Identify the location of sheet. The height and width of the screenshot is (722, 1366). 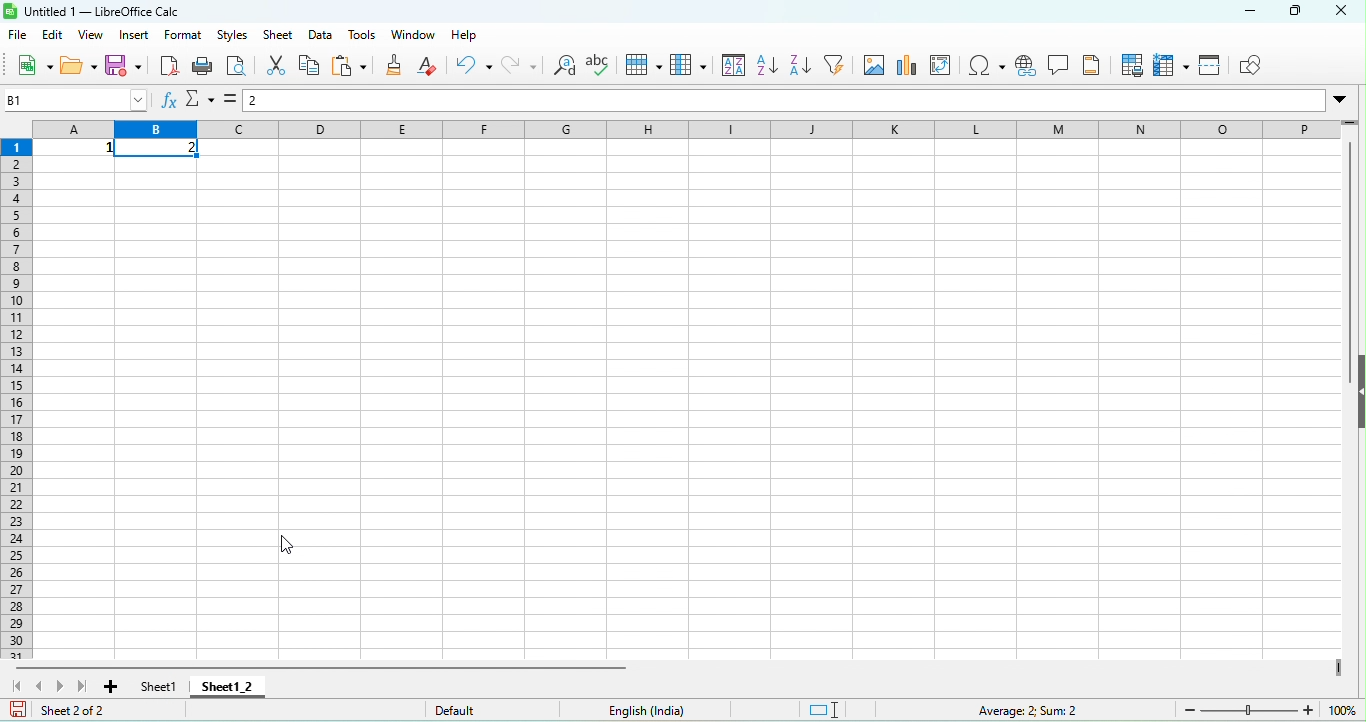
(276, 36).